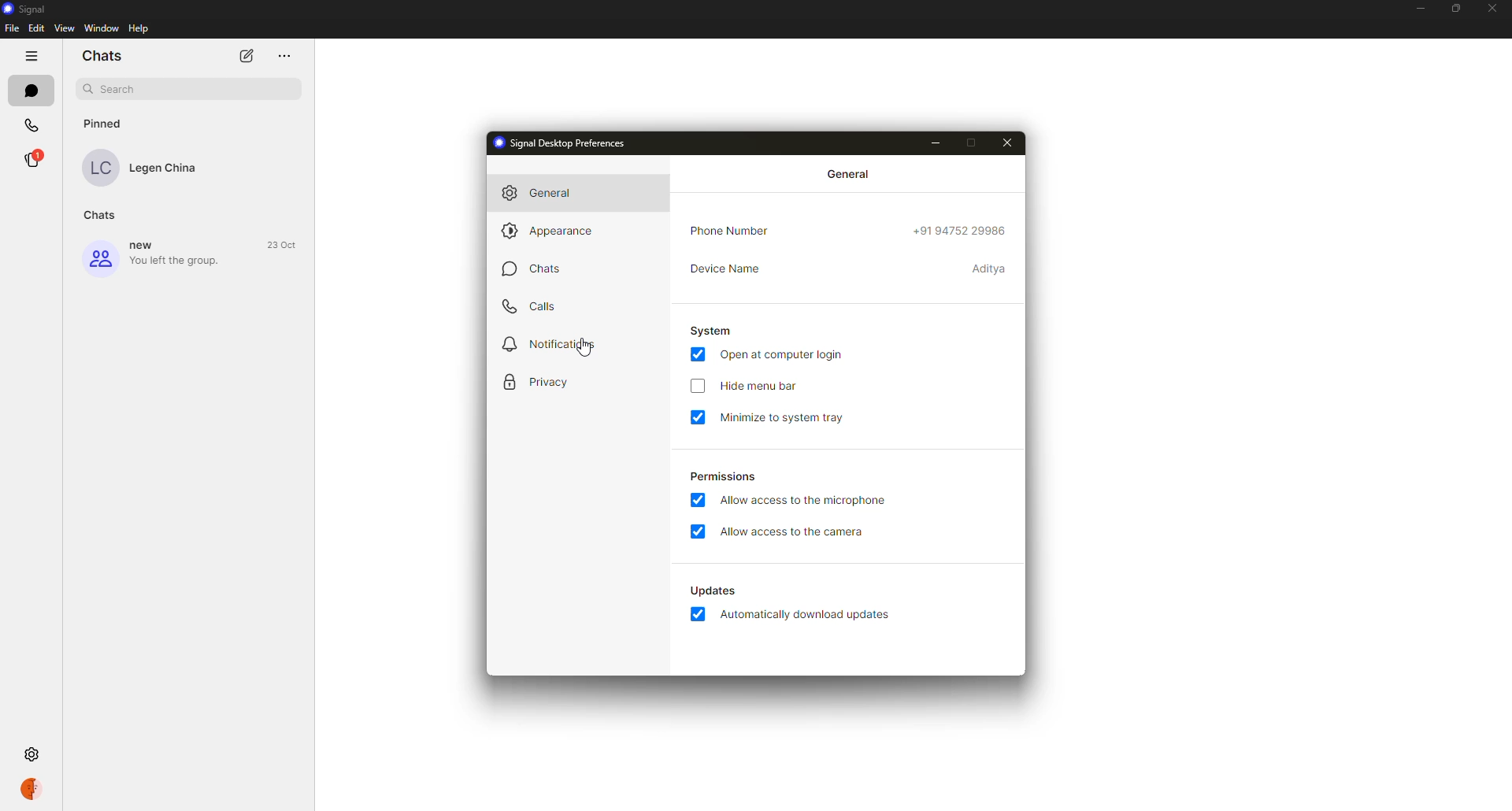  What do you see at coordinates (101, 28) in the screenshot?
I see `‘Window` at bounding box center [101, 28].